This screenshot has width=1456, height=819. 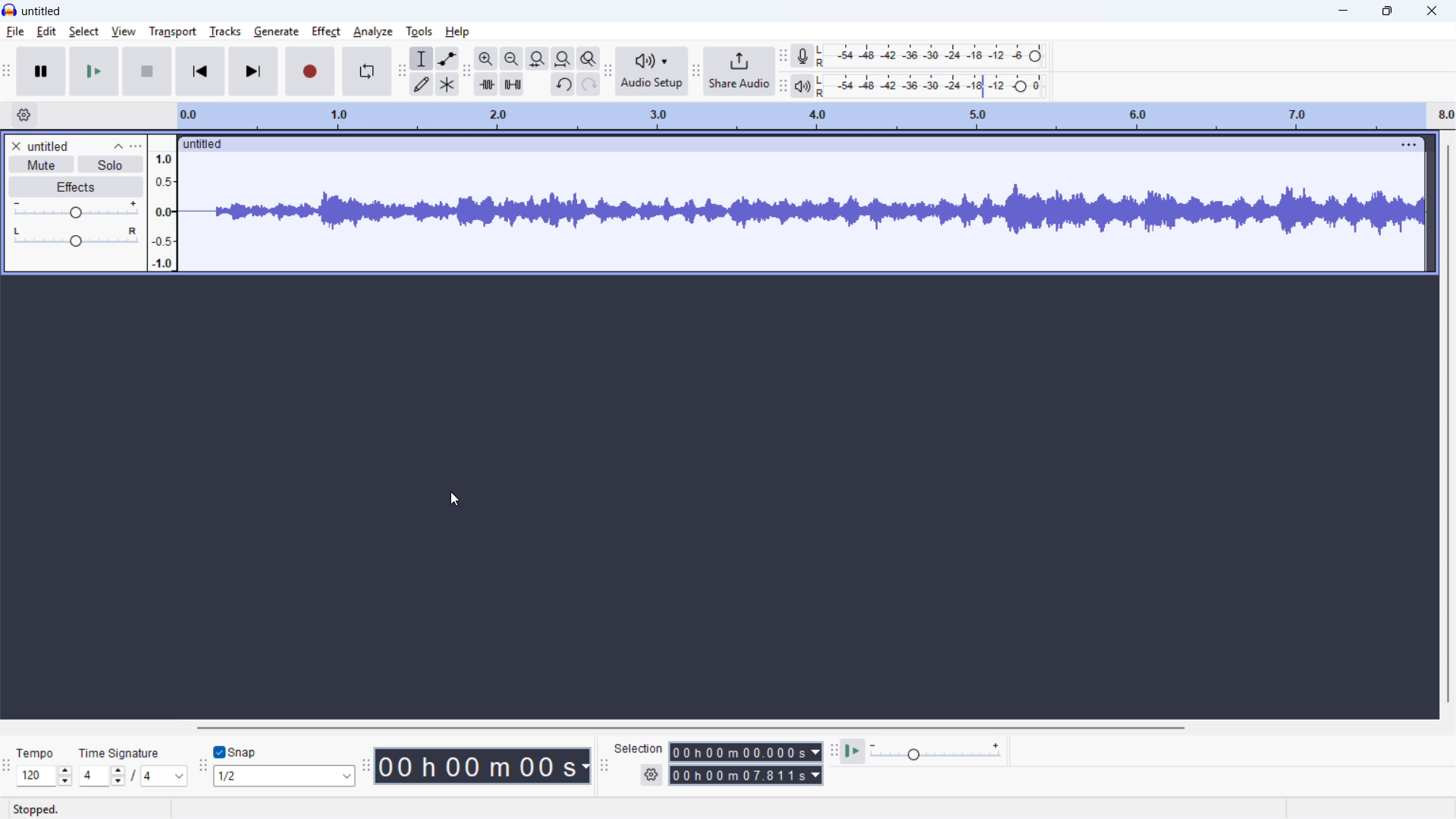 I want to click on track control panel menu, so click(x=136, y=146).